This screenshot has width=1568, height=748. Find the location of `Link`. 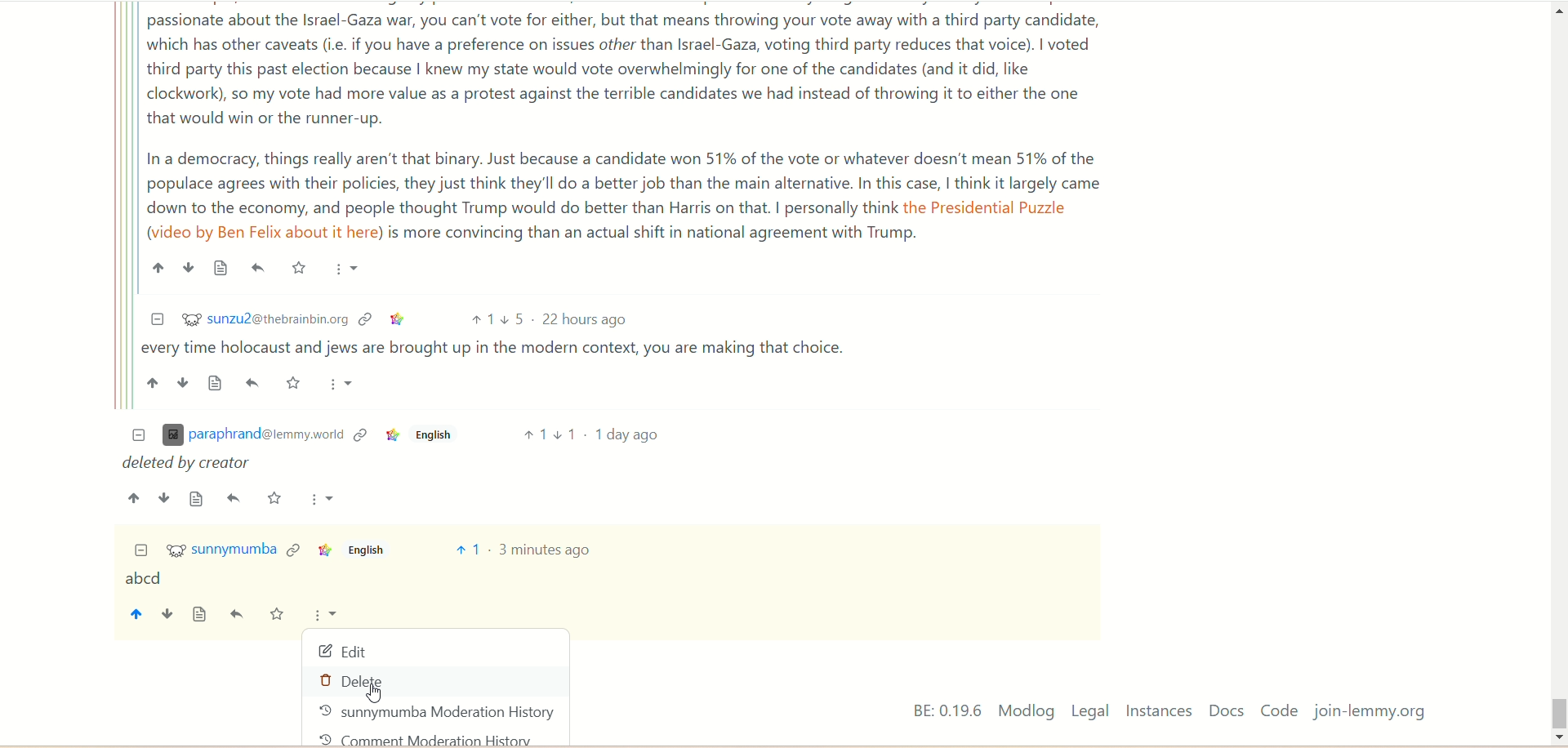

Link is located at coordinates (360, 436).